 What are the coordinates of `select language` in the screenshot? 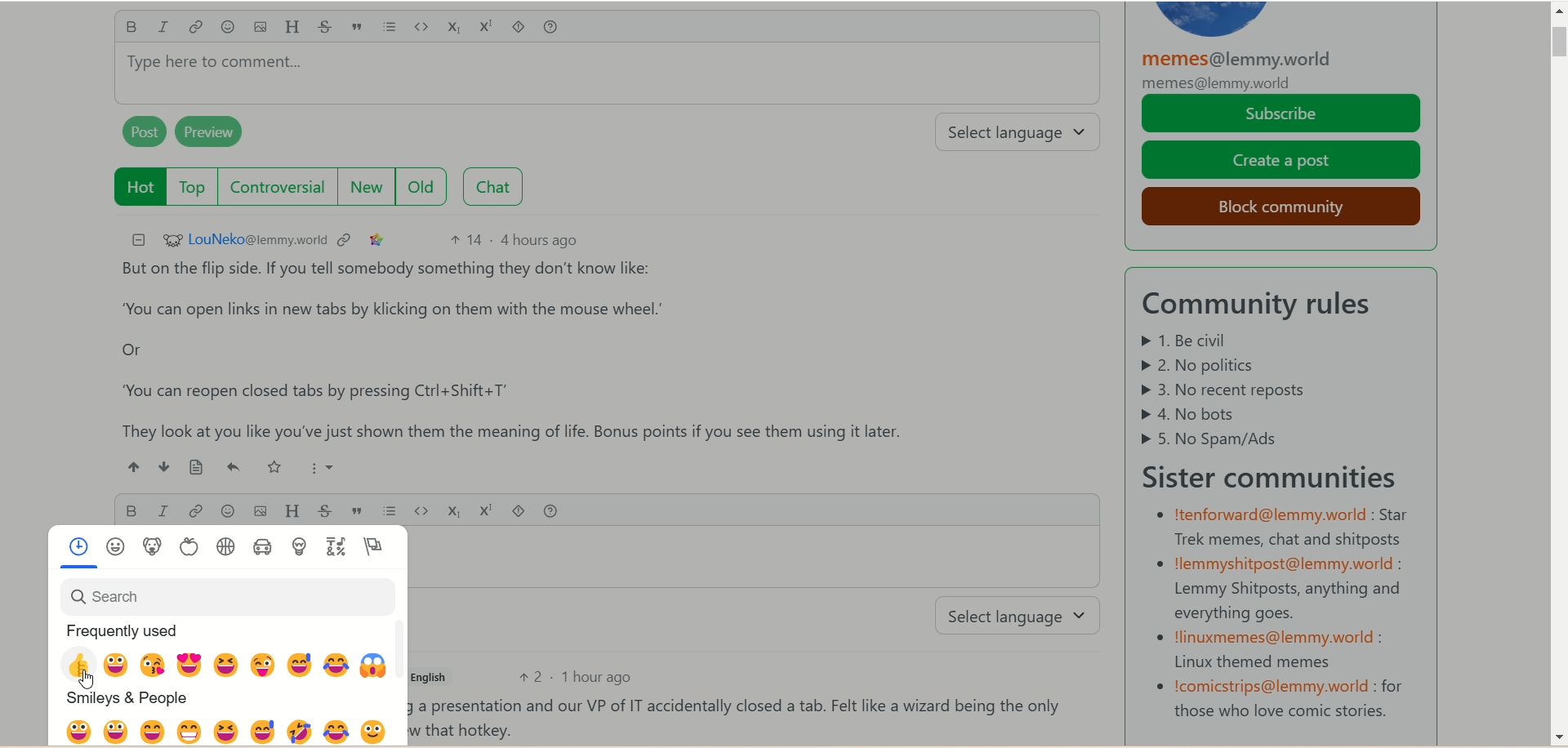 It's located at (1022, 617).